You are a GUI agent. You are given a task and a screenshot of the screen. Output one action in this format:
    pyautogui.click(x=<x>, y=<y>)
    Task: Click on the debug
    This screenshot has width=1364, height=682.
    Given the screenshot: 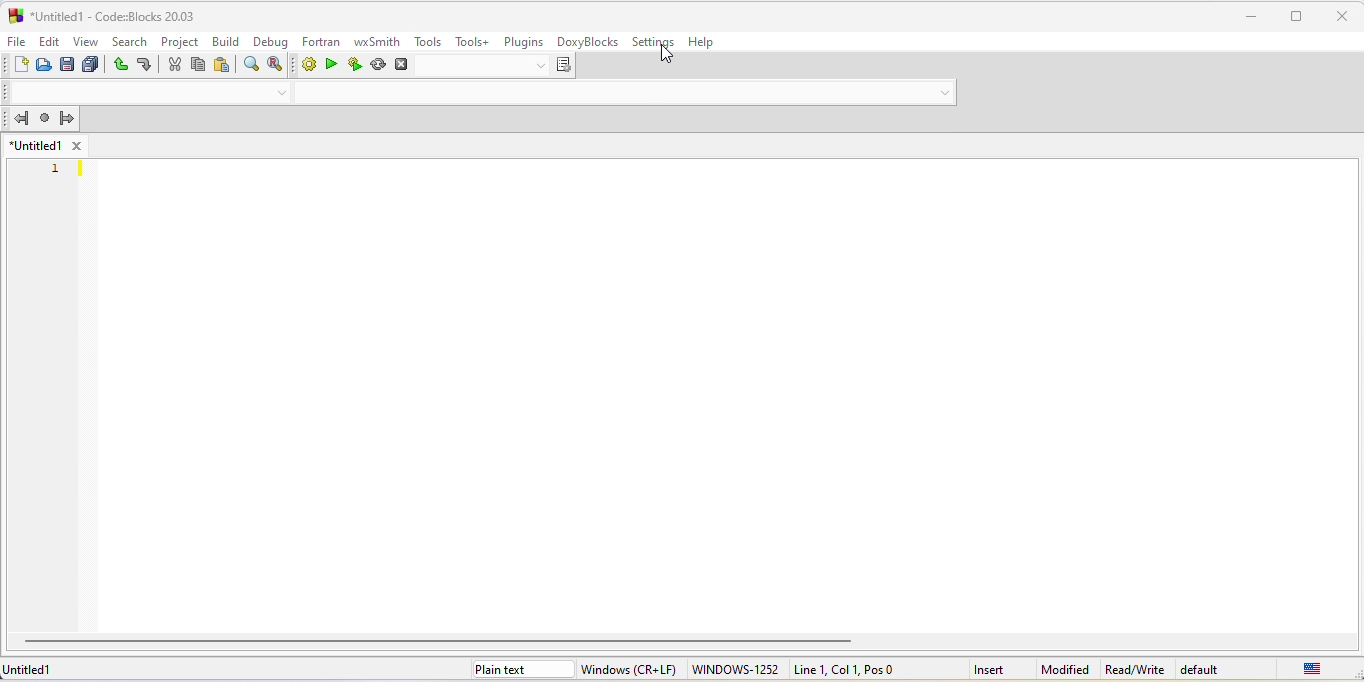 What is the action you would take?
    pyautogui.click(x=272, y=41)
    